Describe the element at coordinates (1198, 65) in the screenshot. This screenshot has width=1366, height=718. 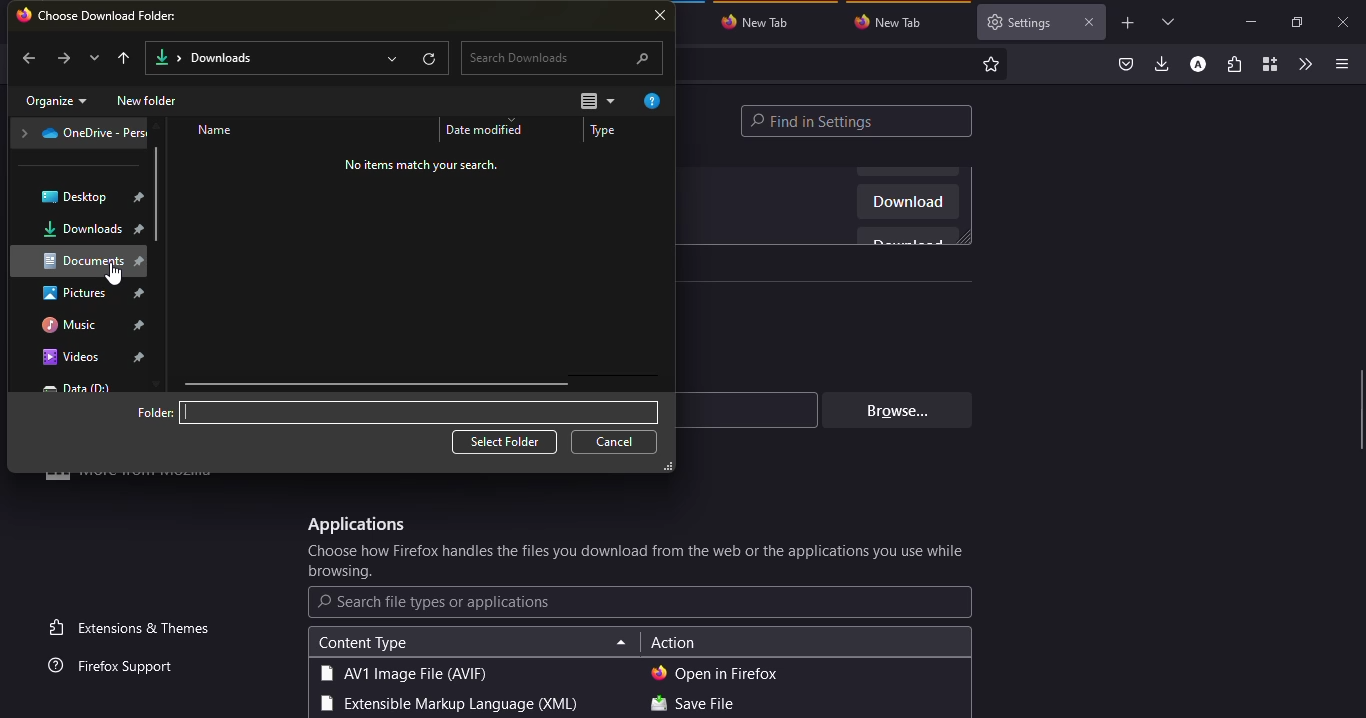
I see `account` at that location.